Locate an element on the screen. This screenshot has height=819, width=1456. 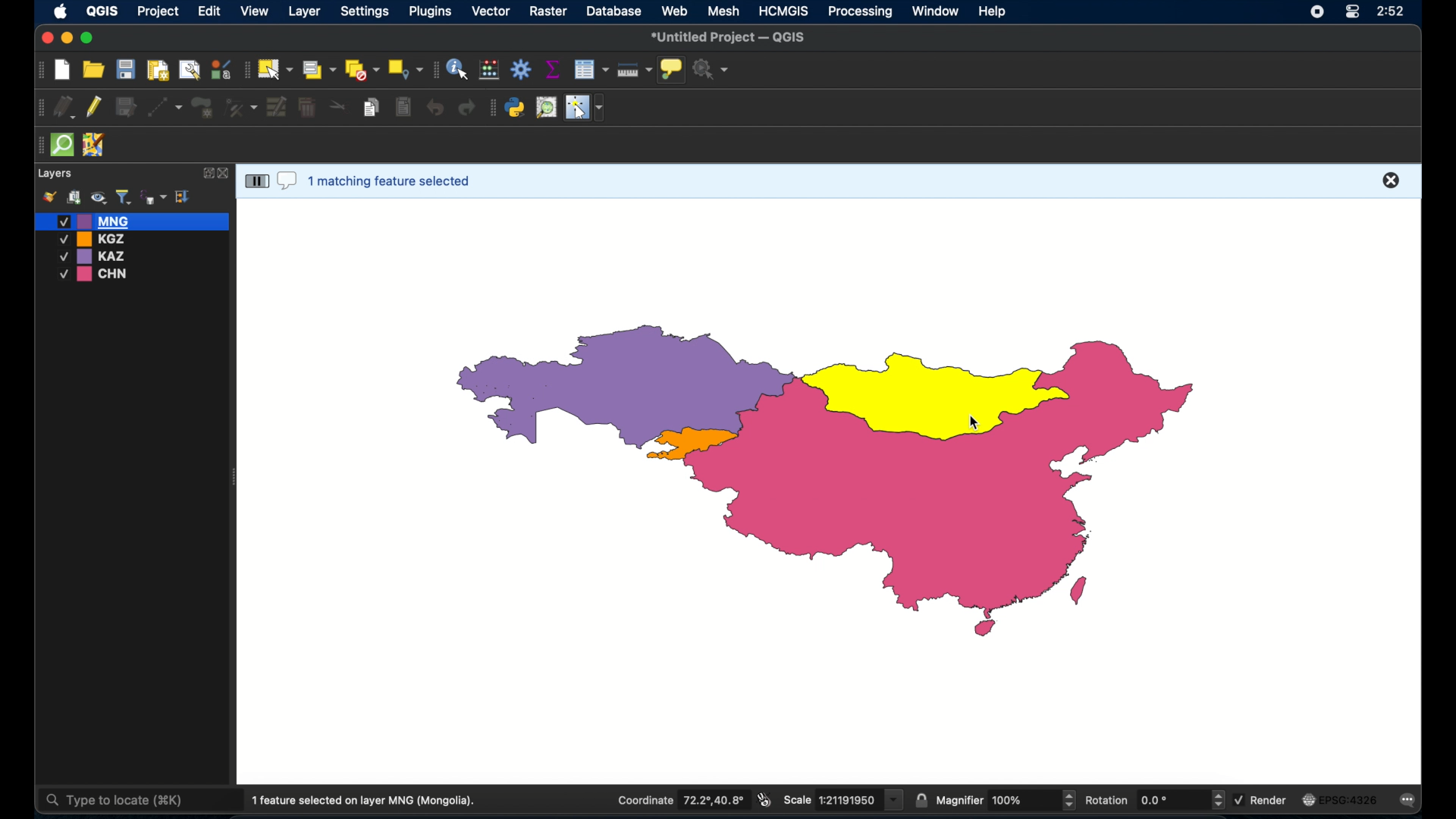
HCMGIS is located at coordinates (784, 11).